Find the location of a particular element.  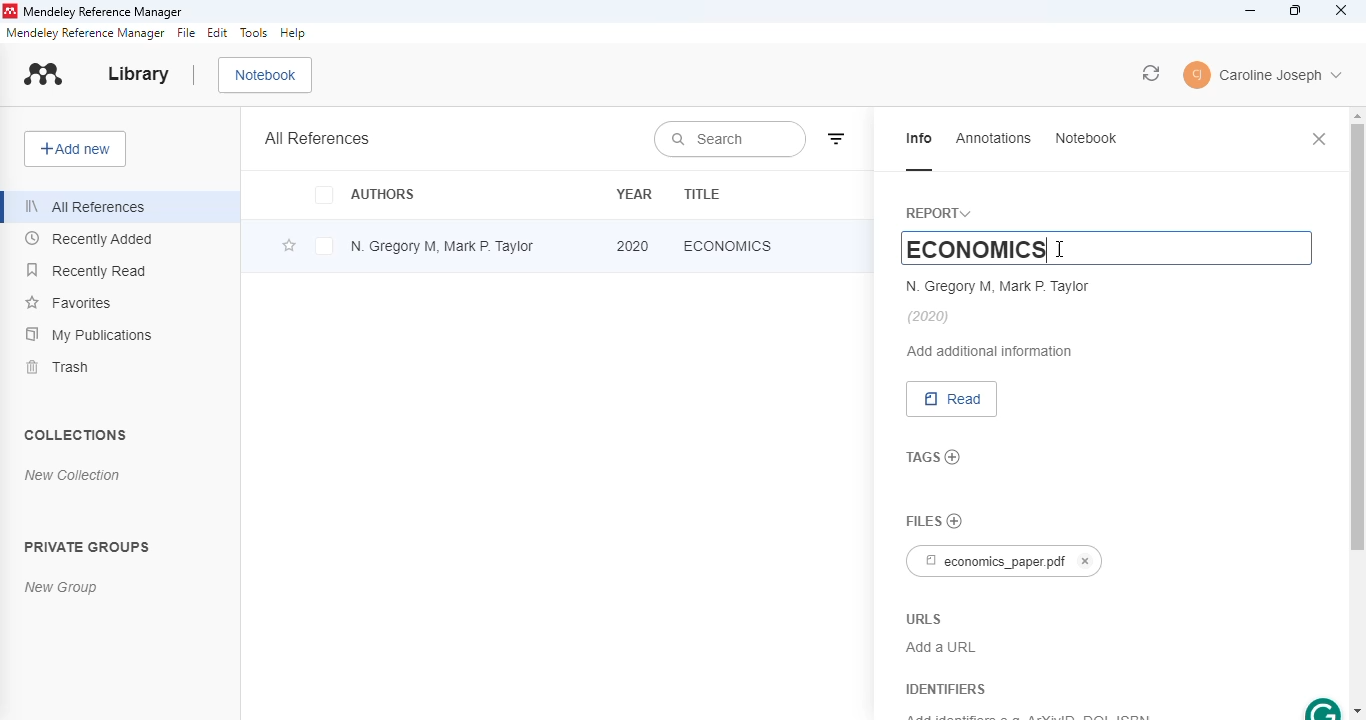

filter by is located at coordinates (837, 138).